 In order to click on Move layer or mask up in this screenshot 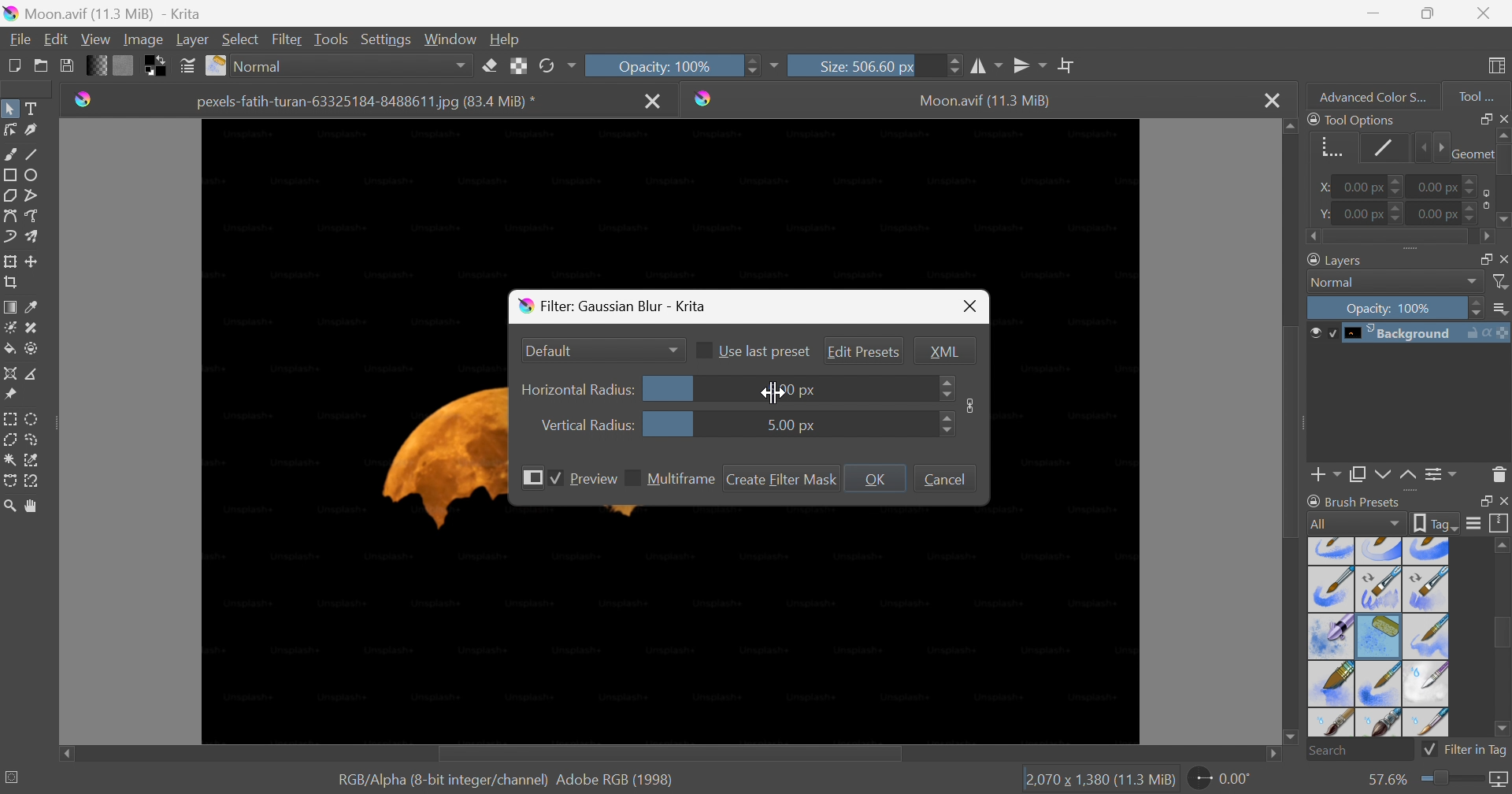, I will do `click(1410, 477)`.